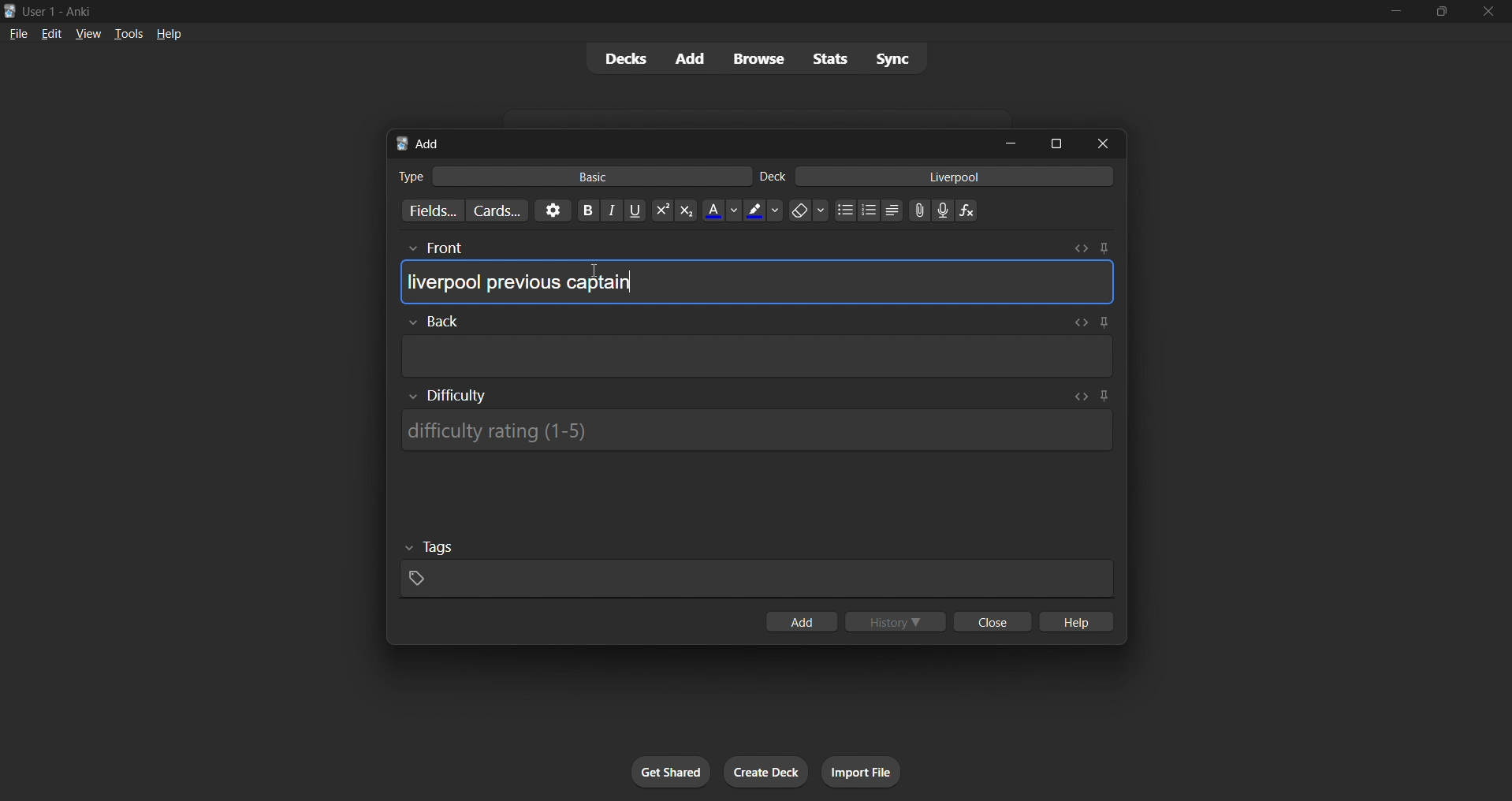  What do you see at coordinates (425, 212) in the screenshot?
I see `customize fields` at bounding box center [425, 212].